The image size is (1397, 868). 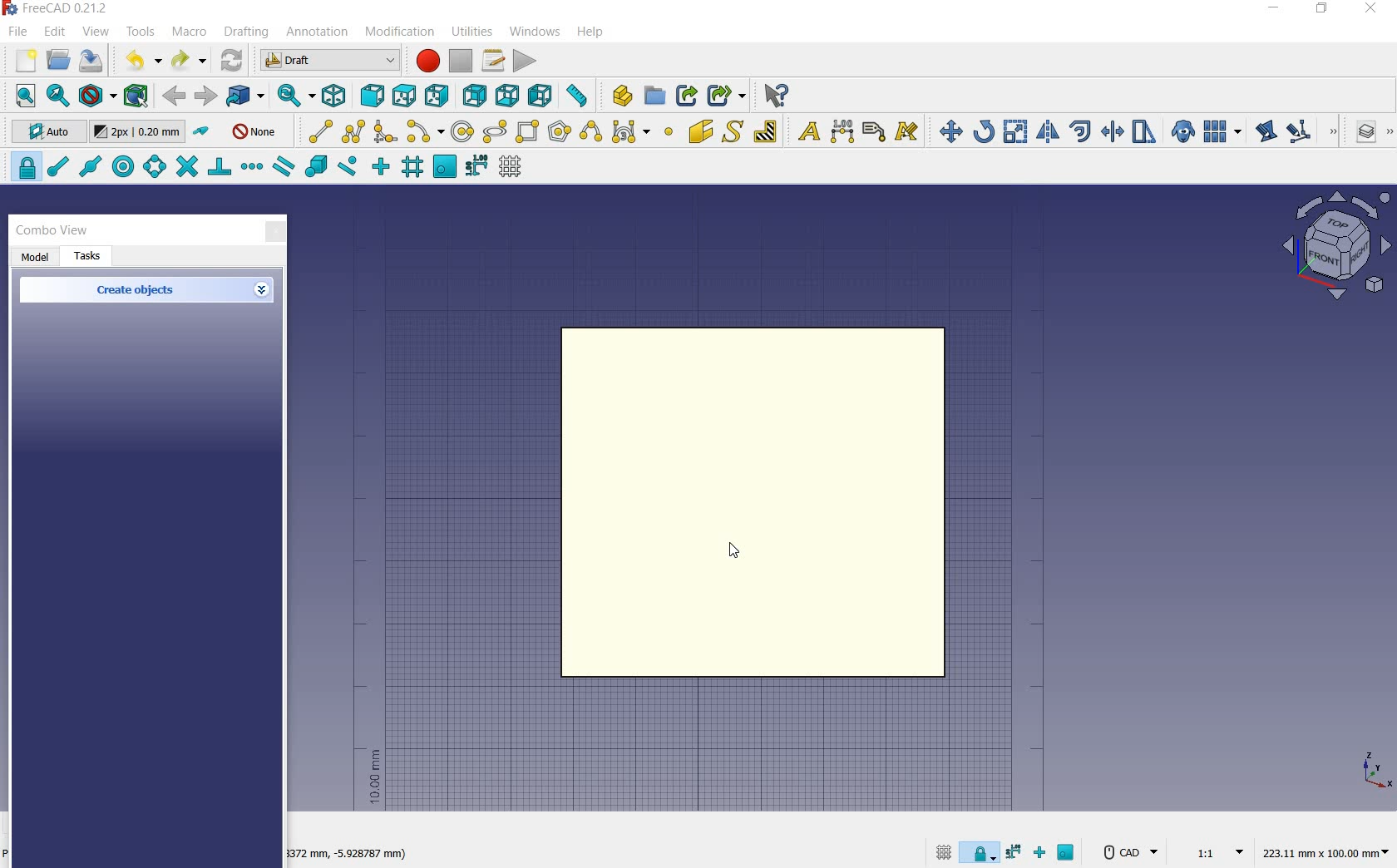 I want to click on snap special, so click(x=314, y=167).